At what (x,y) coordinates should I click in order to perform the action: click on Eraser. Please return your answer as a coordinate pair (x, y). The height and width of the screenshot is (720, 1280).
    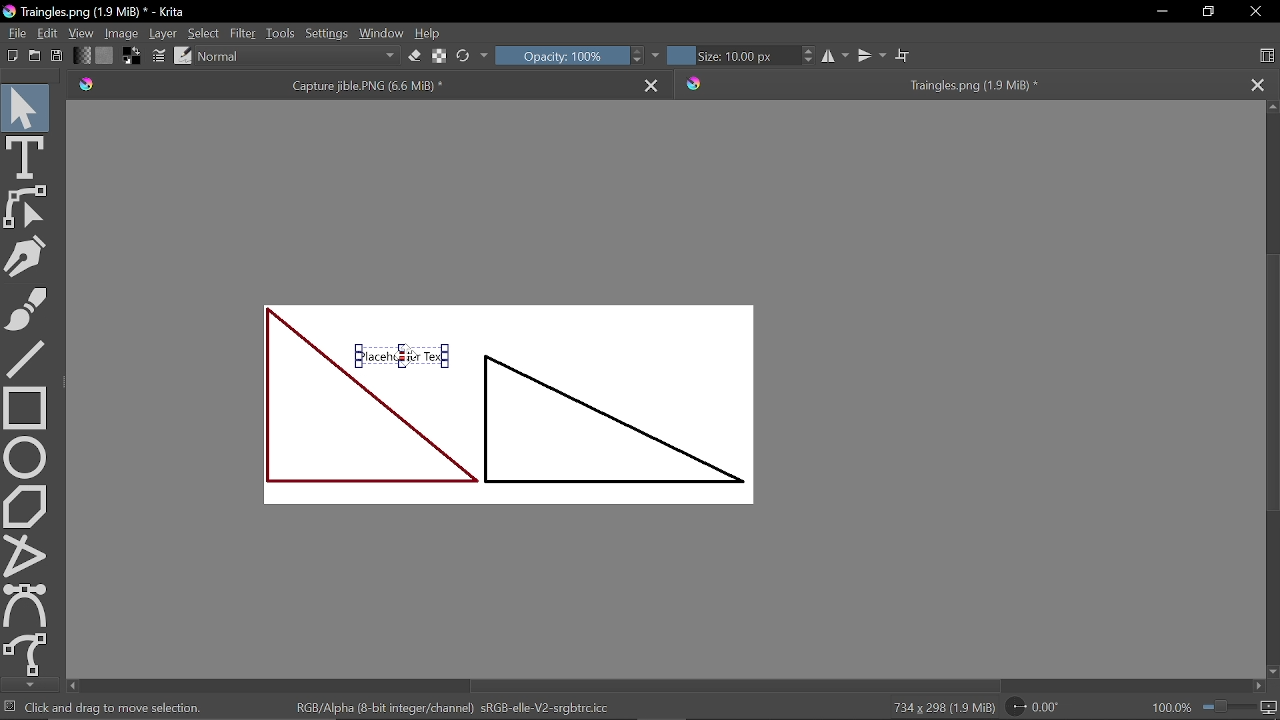
    Looking at the image, I should click on (413, 56).